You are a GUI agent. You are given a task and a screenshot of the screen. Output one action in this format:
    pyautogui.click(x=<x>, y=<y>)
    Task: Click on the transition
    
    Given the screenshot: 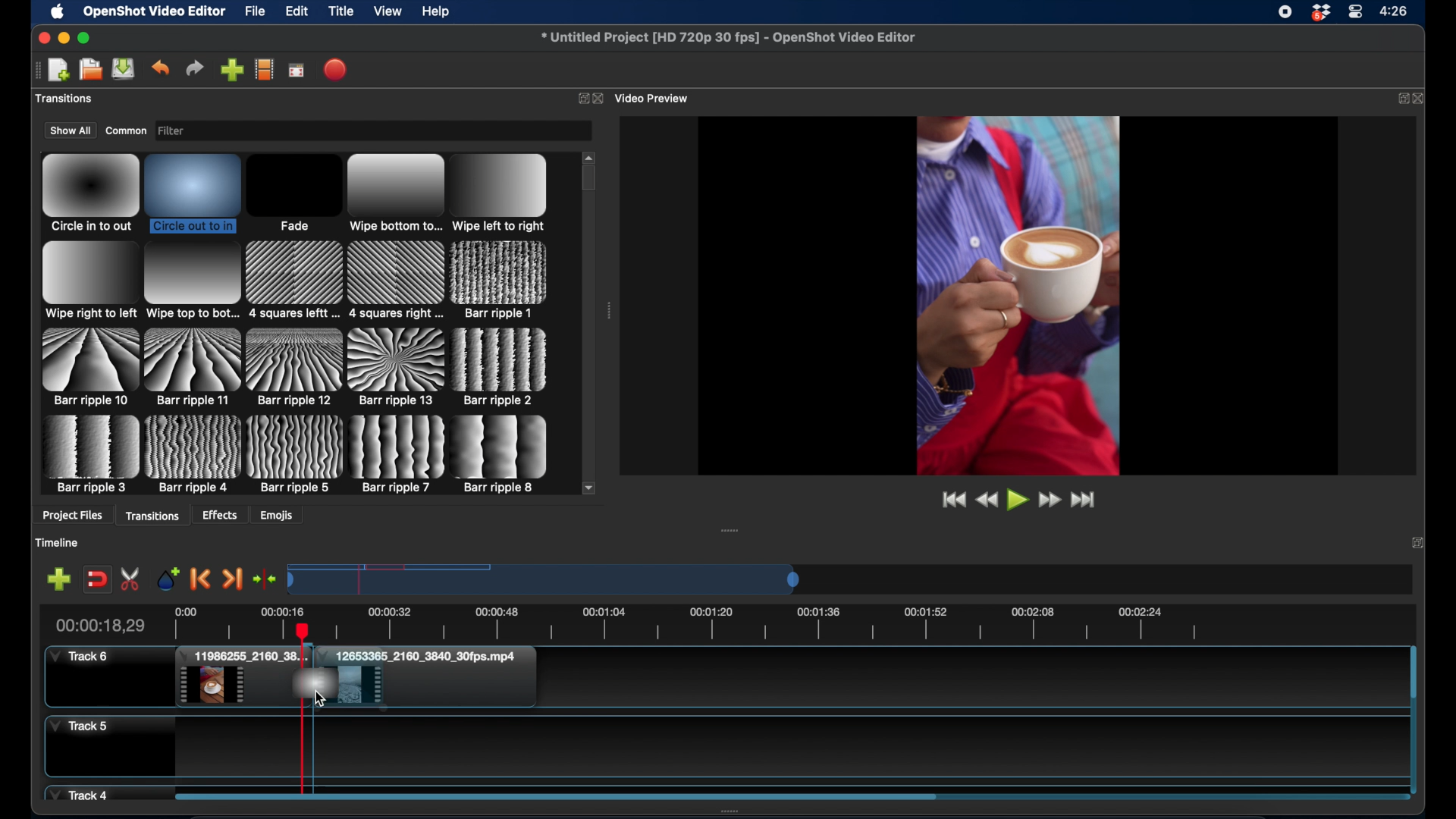 What is the action you would take?
    pyautogui.click(x=294, y=368)
    